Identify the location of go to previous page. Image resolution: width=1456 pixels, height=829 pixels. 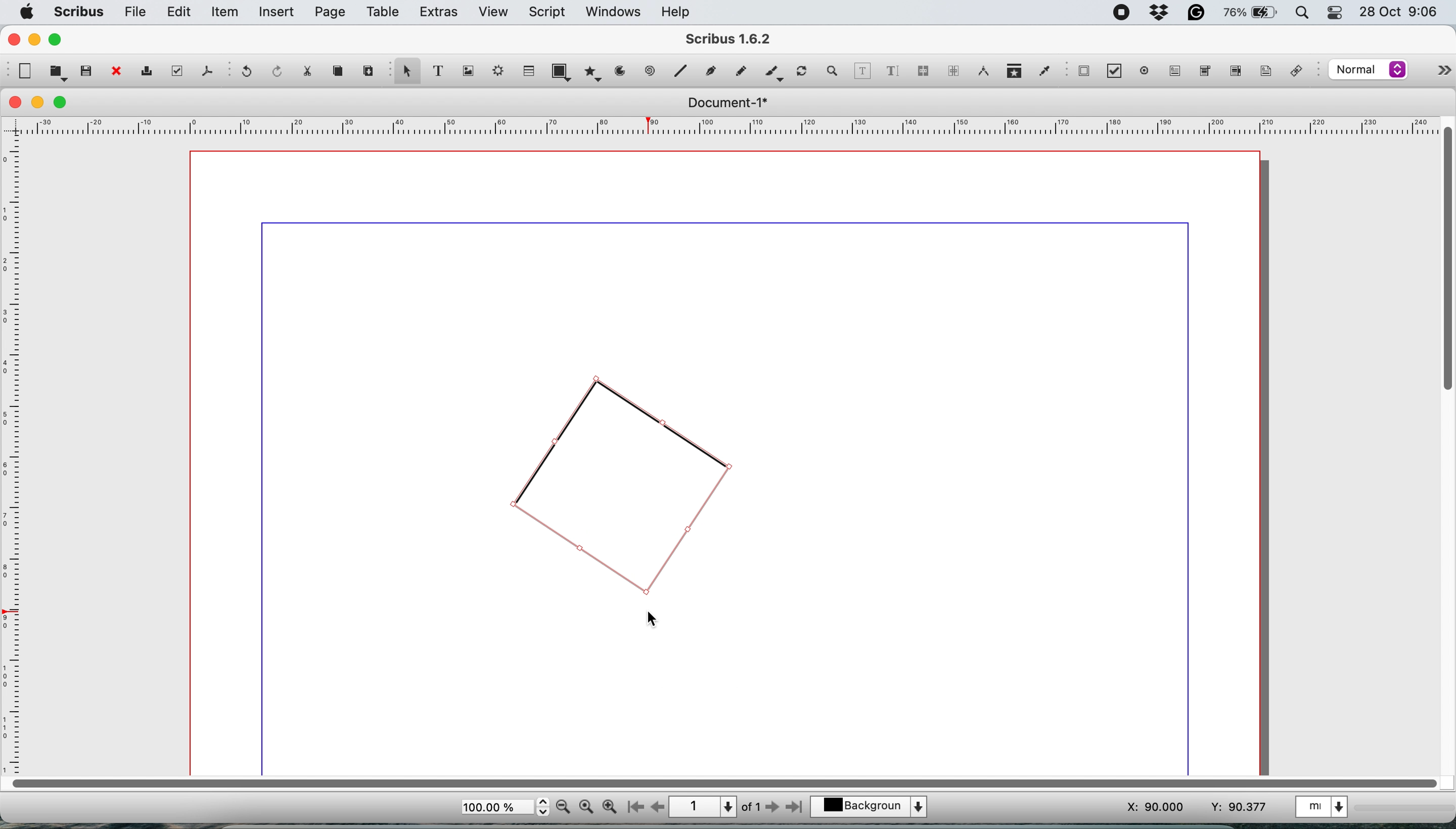
(658, 806).